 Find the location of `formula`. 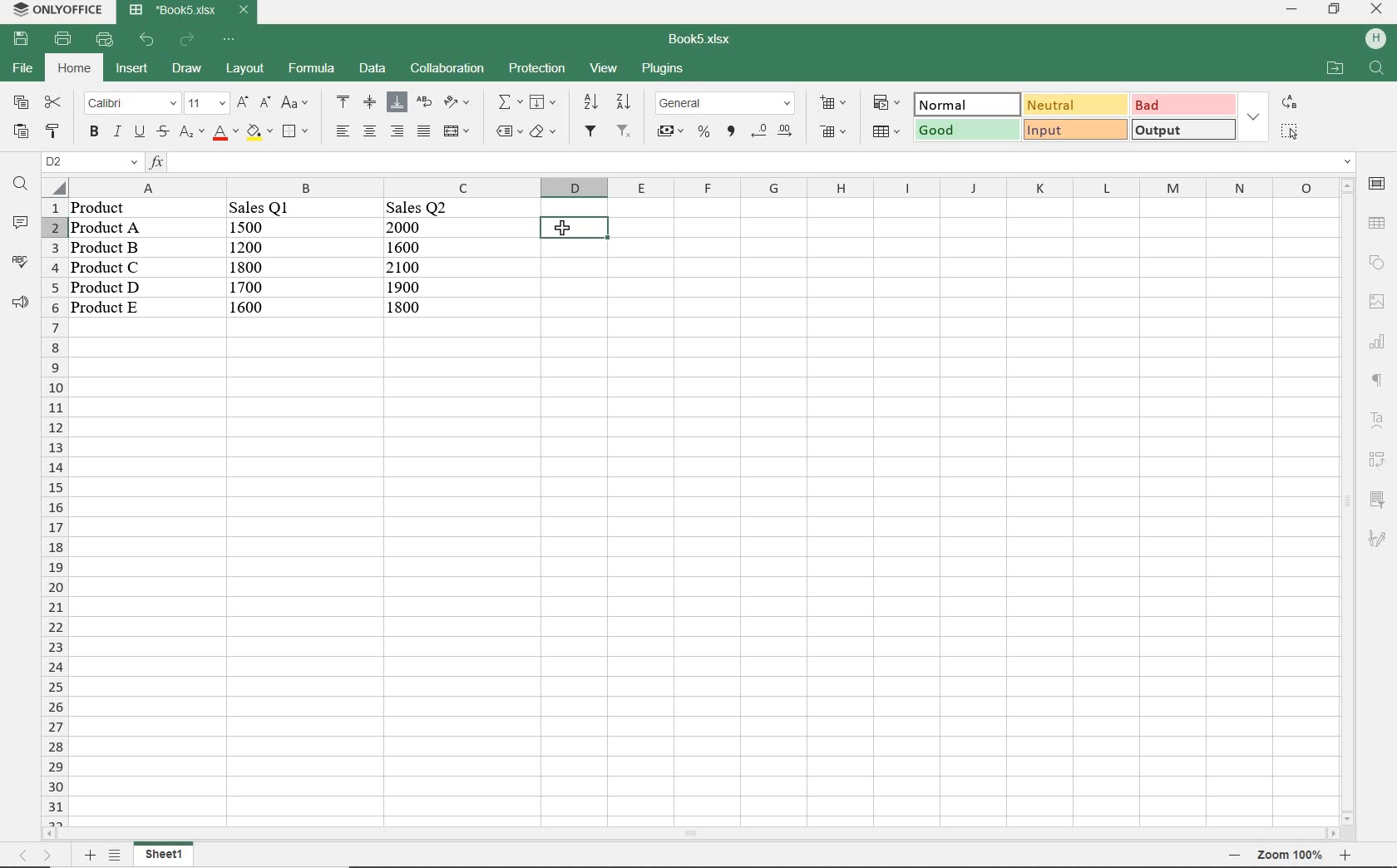

formula is located at coordinates (312, 68).